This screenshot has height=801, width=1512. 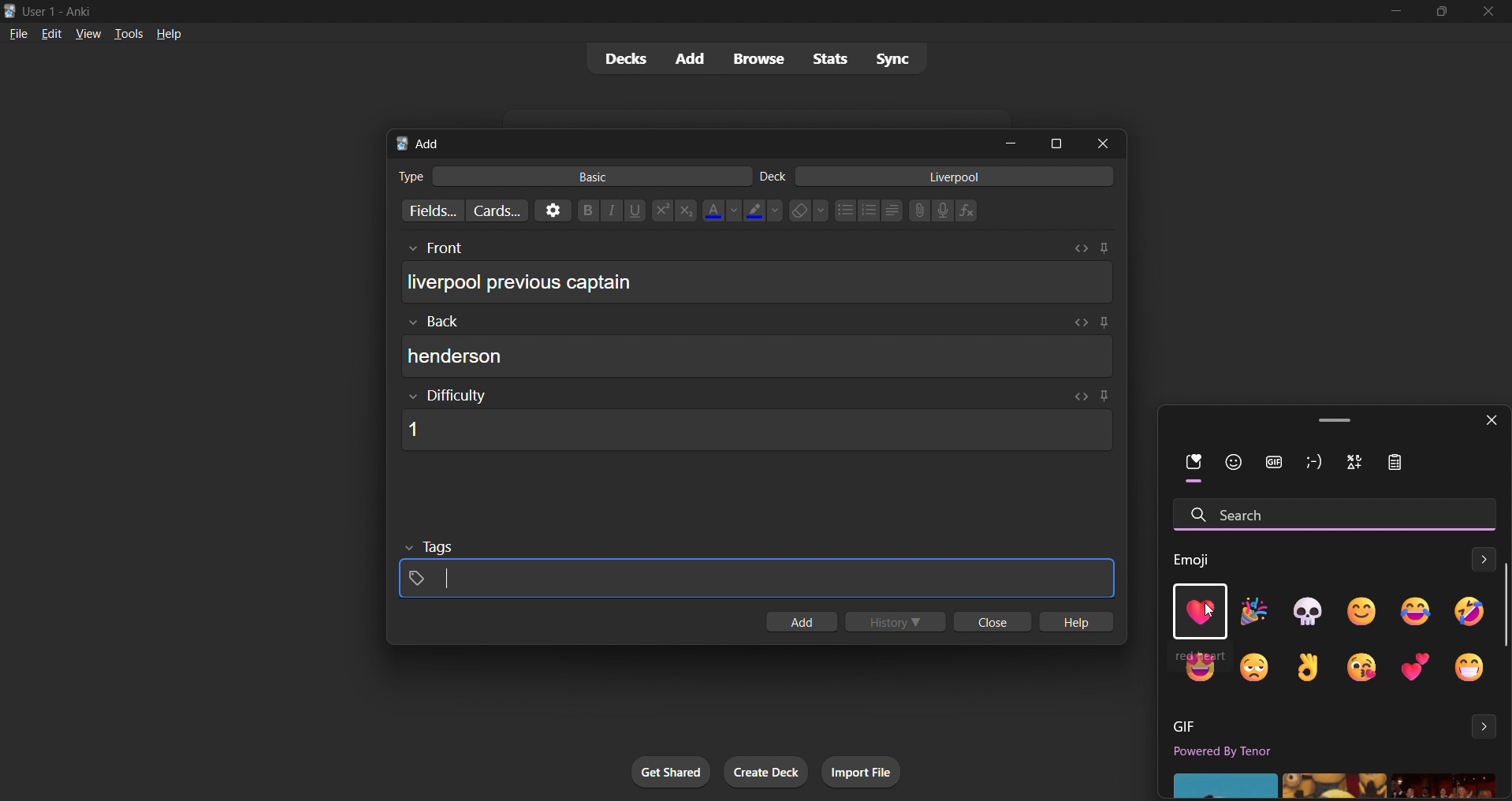 What do you see at coordinates (1231, 464) in the screenshot?
I see `face filter` at bounding box center [1231, 464].